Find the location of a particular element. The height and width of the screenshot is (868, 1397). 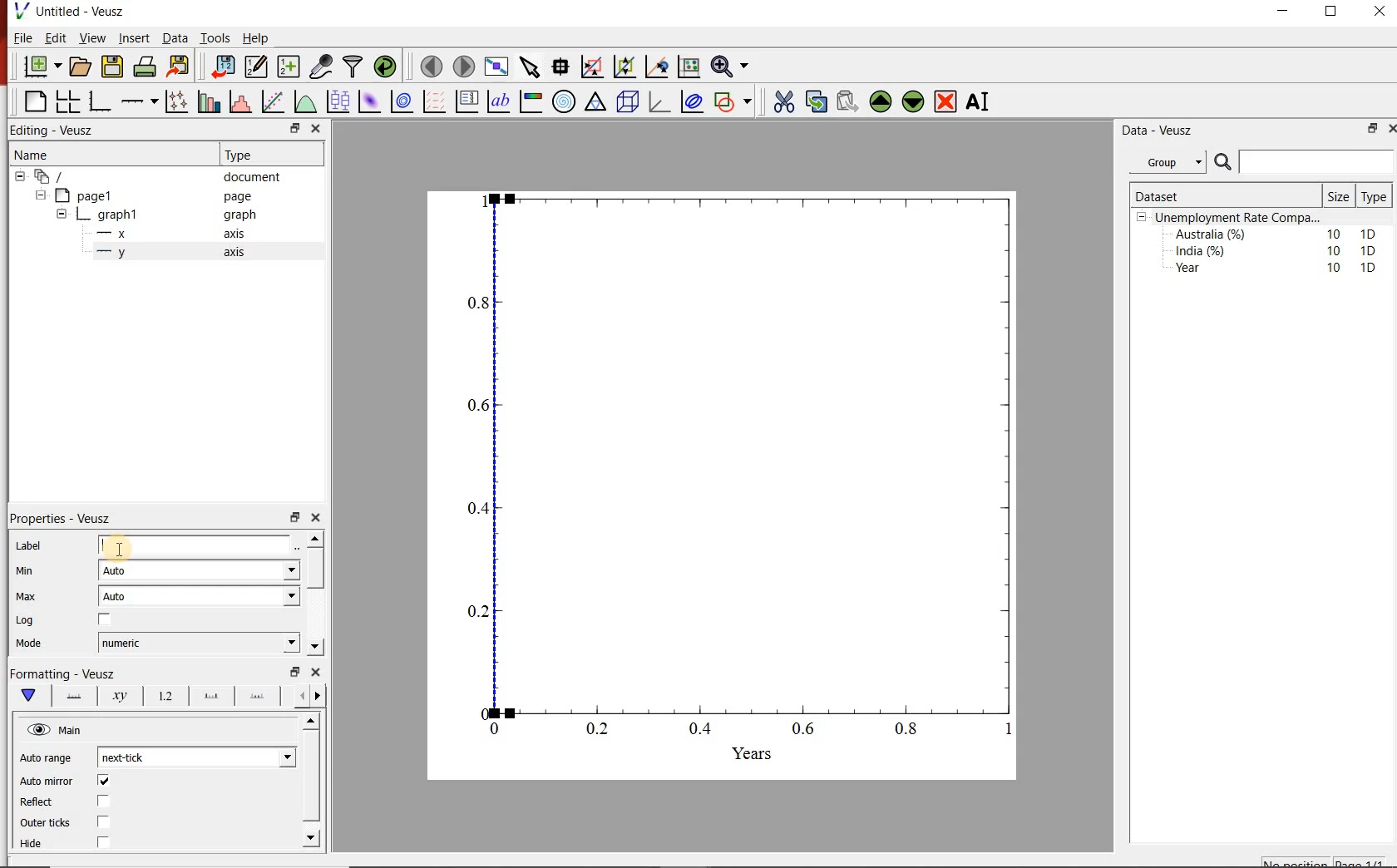

Type is located at coordinates (1373, 197).